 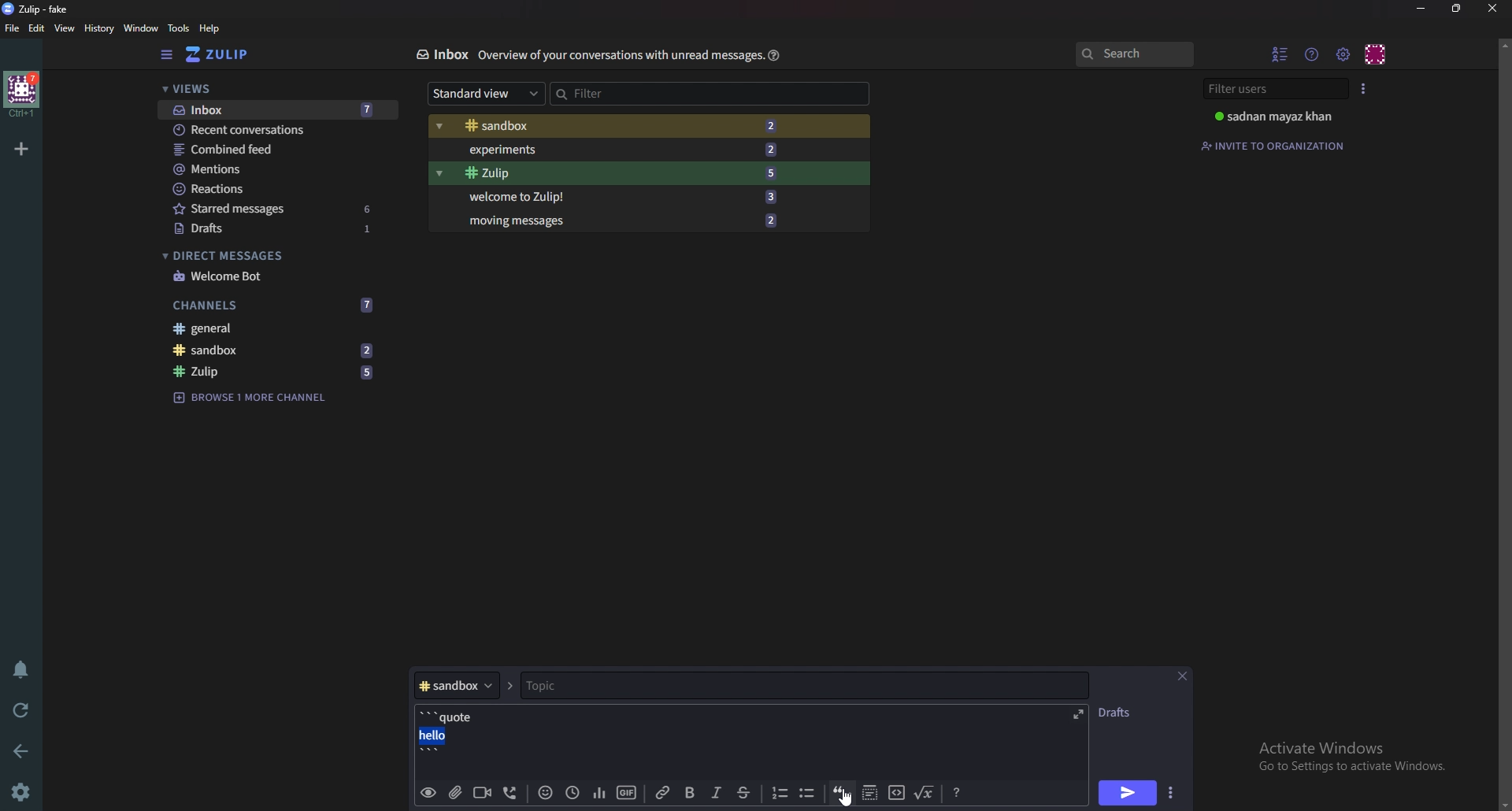 What do you see at coordinates (1377, 53) in the screenshot?
I see `Personal menu` at bounding box center [1377, 53].